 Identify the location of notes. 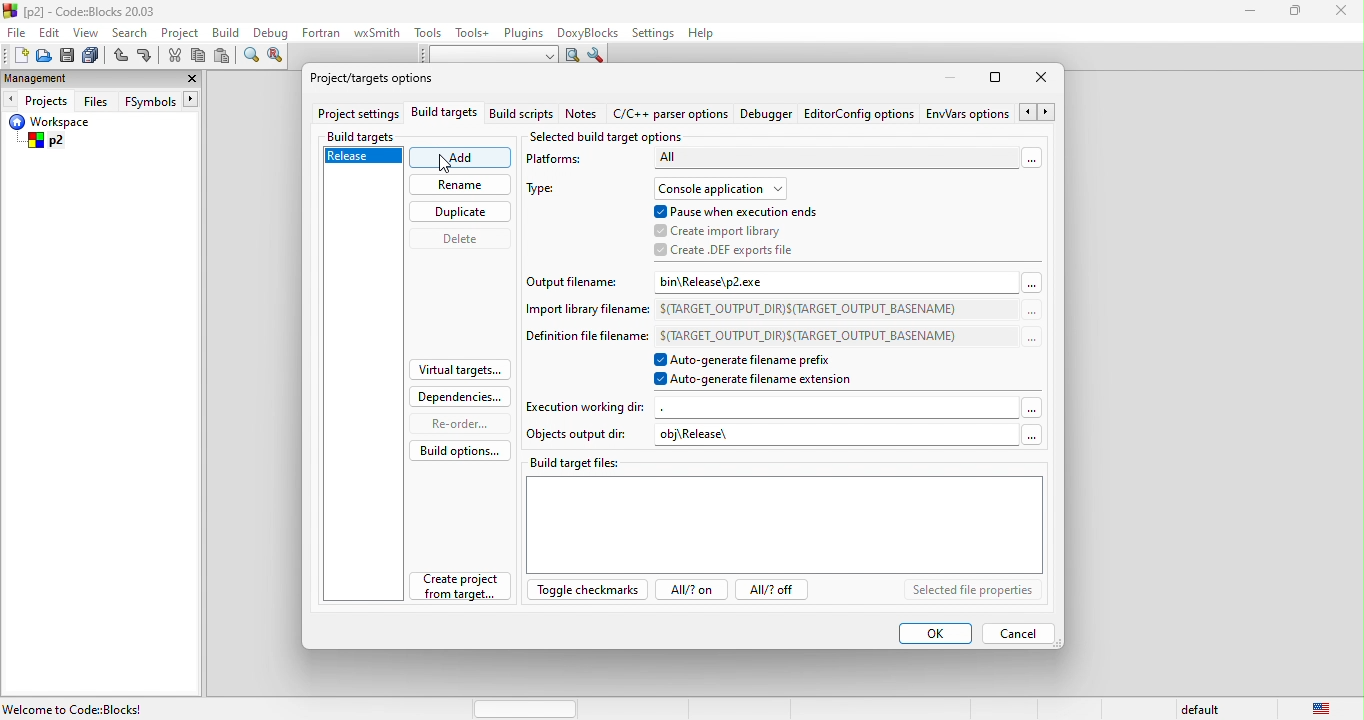
(582, 113).